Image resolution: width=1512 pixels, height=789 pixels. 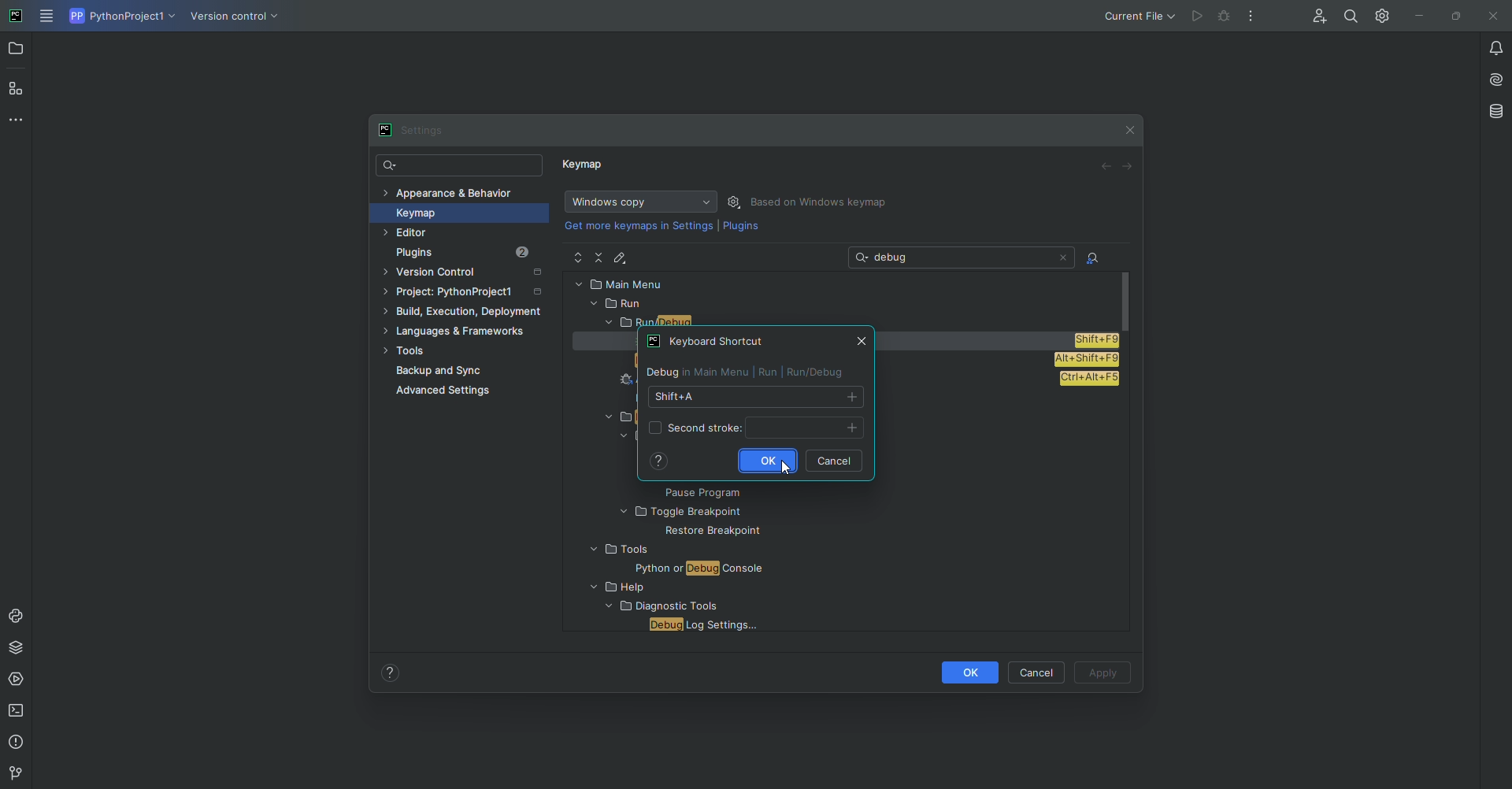 I want to click on Main Menu, so click(x=48, y=17).